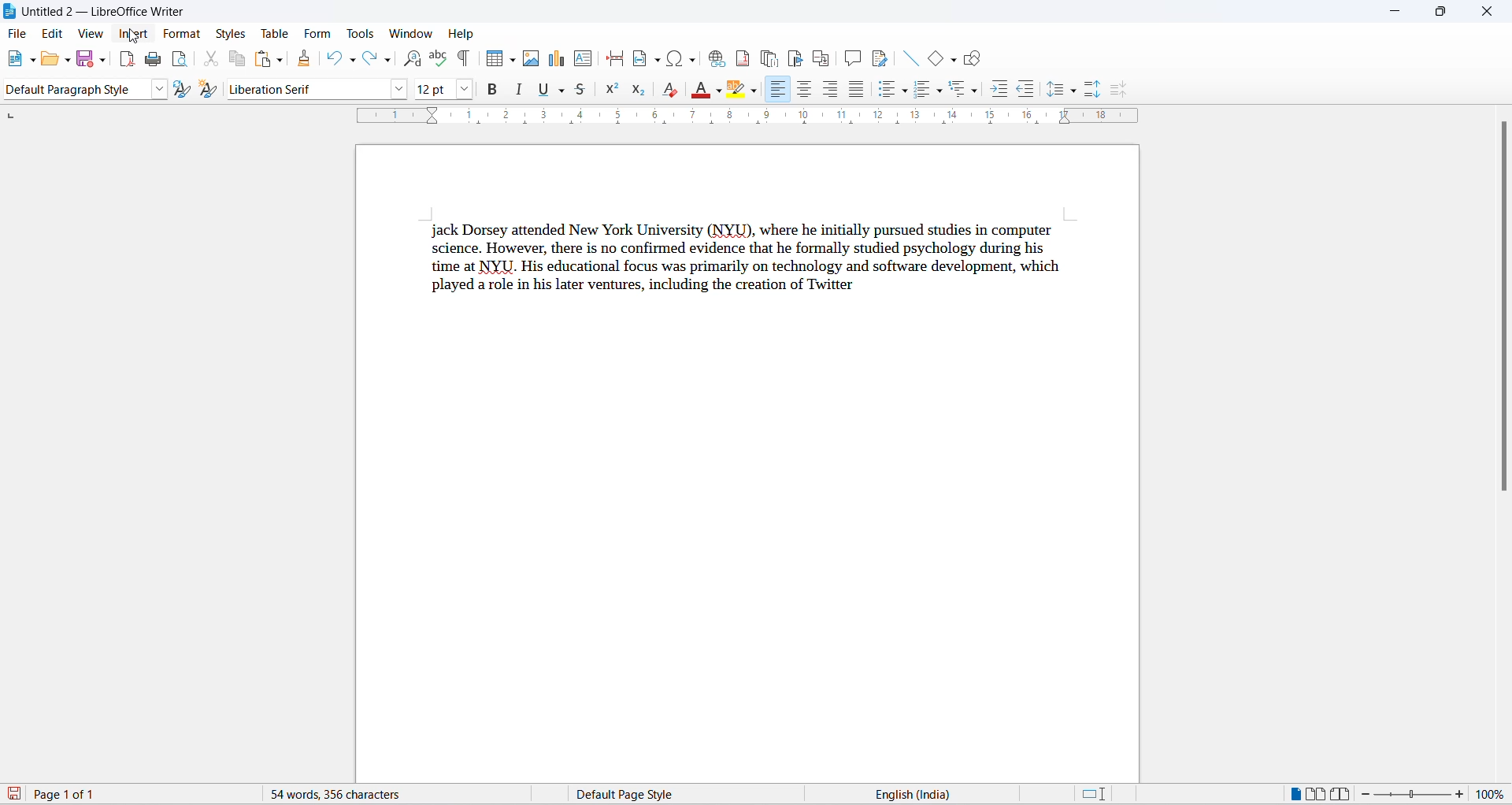 The height and width of the screenshot is (805, 1512). I want to click on new file, so click(17, 58).